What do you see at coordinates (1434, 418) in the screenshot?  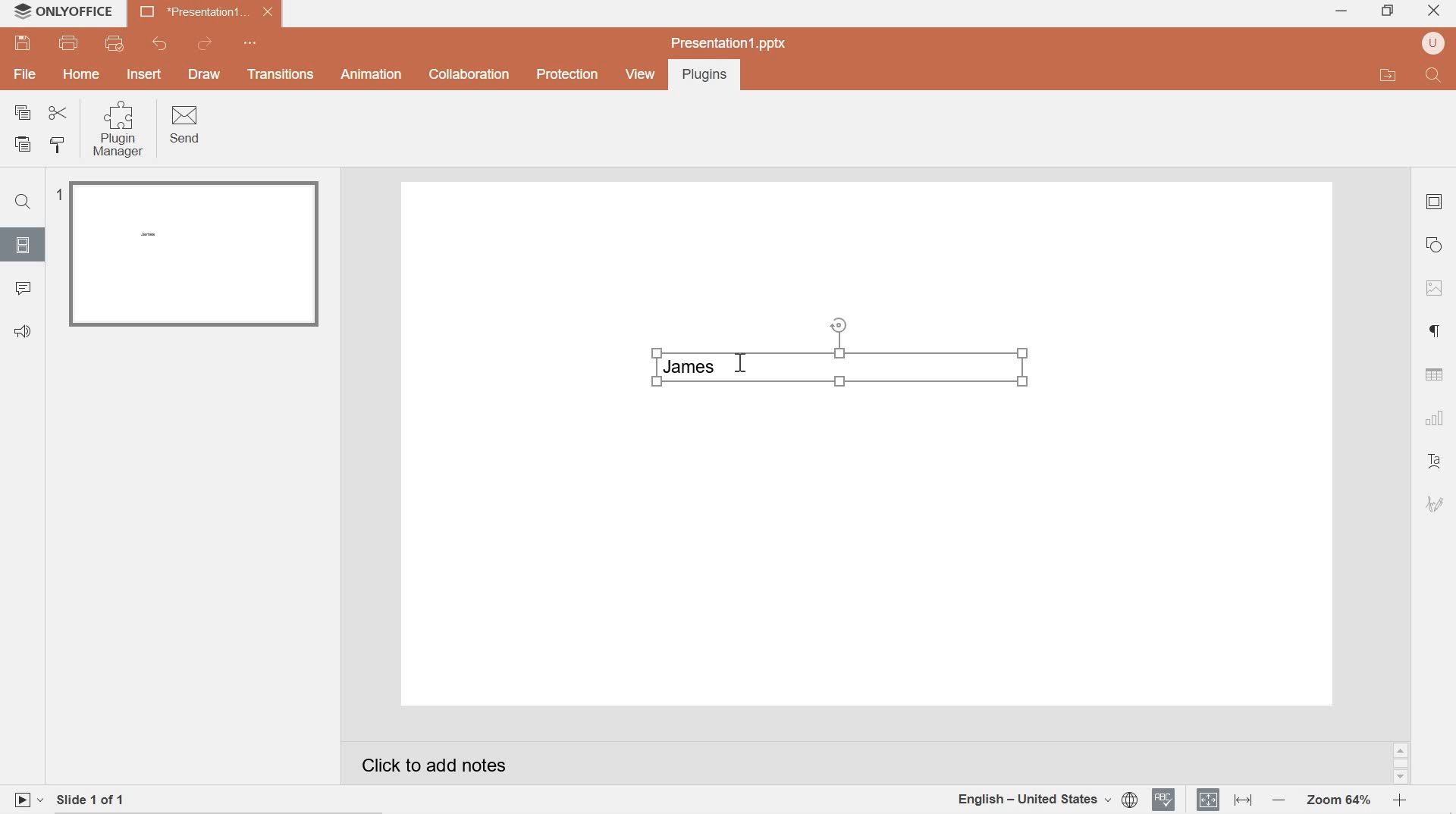 I see `chart` at bounding box center [1434, 418].